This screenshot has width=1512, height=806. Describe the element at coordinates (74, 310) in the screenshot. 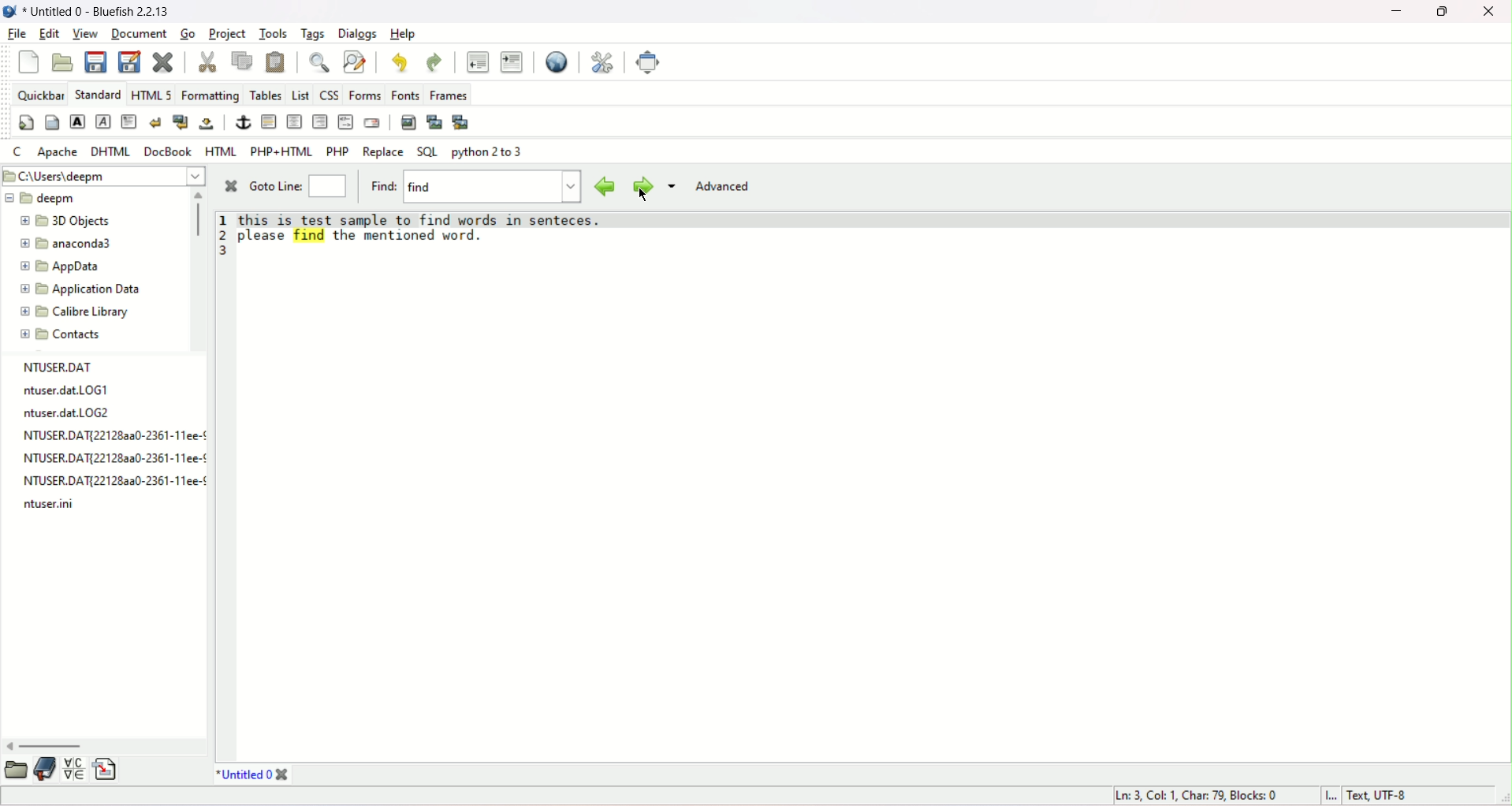

I see `calibre library` at that location.